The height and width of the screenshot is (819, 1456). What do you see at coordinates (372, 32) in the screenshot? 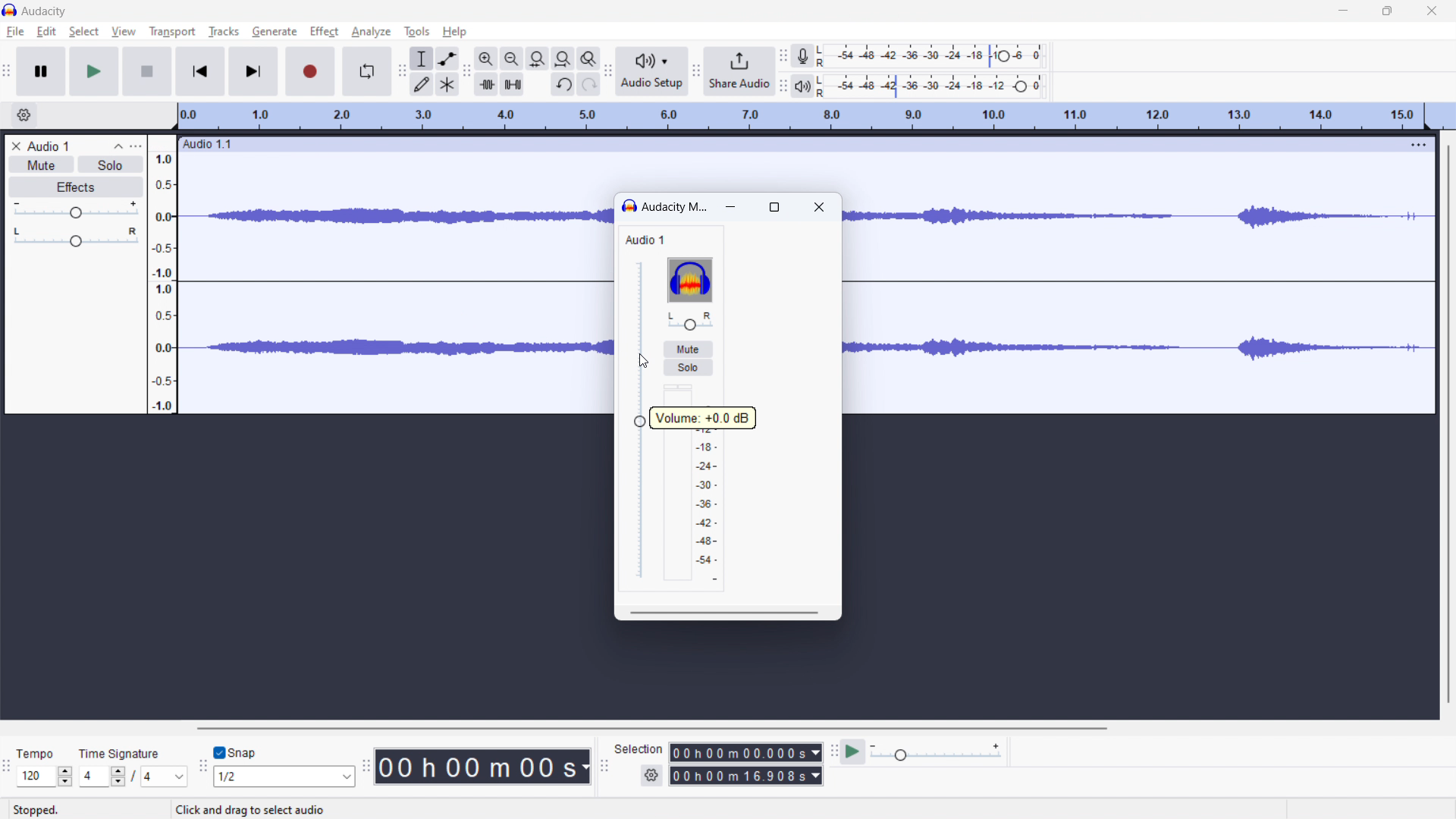
I see `analyze` at bounding box center [372, 32].